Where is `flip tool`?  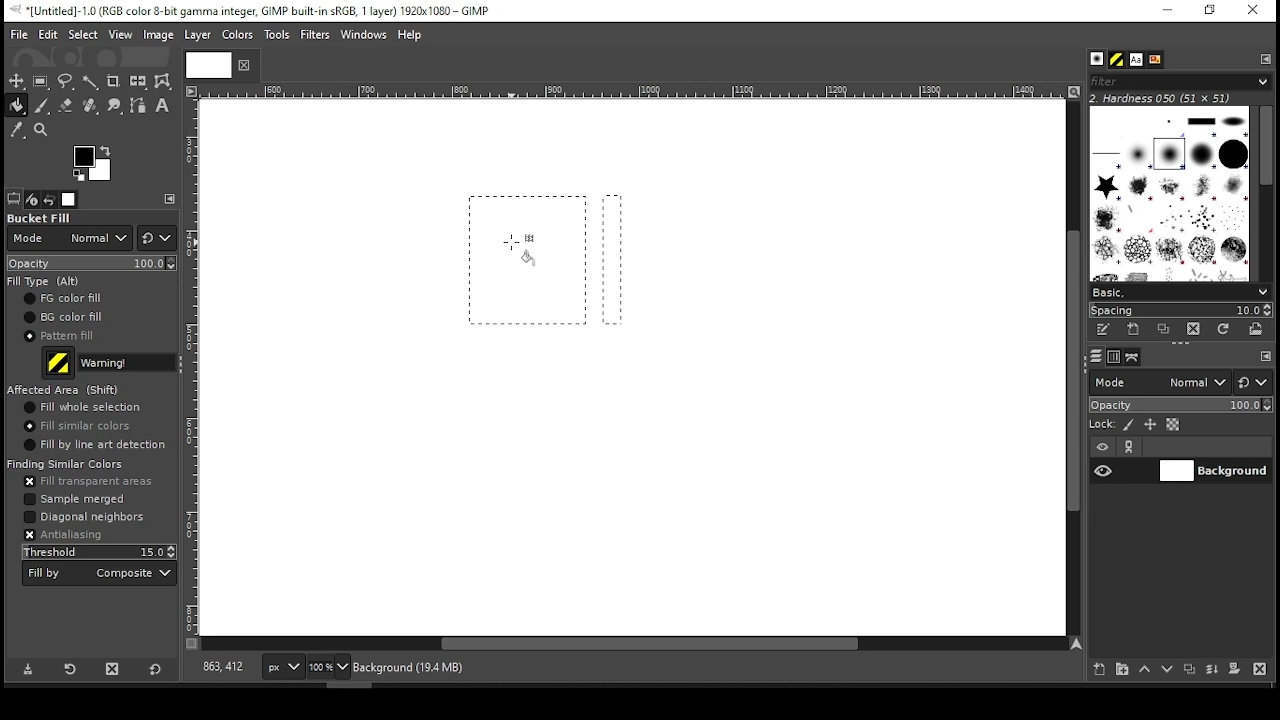 flip tool is located at coordinates (138, 80).